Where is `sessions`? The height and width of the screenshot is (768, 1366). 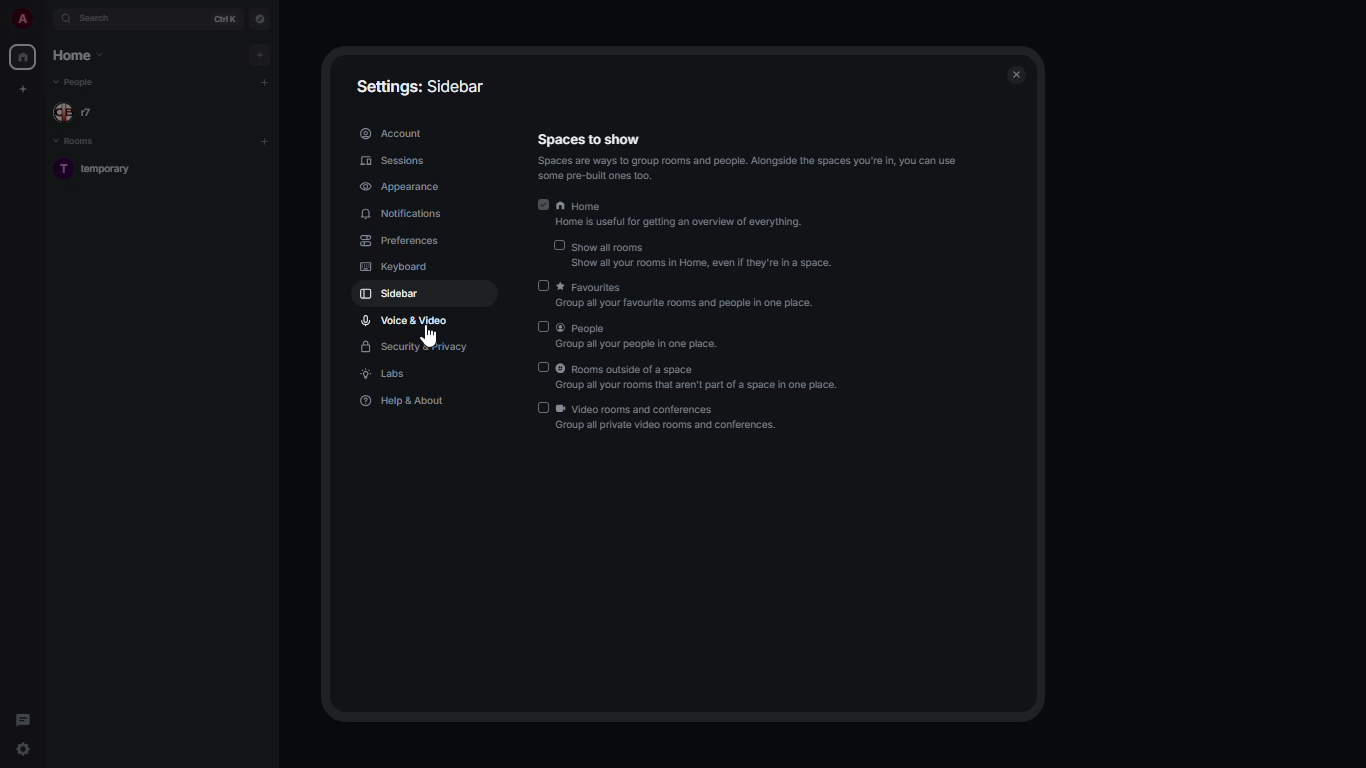
sessions is located at coordinates (393, 160).